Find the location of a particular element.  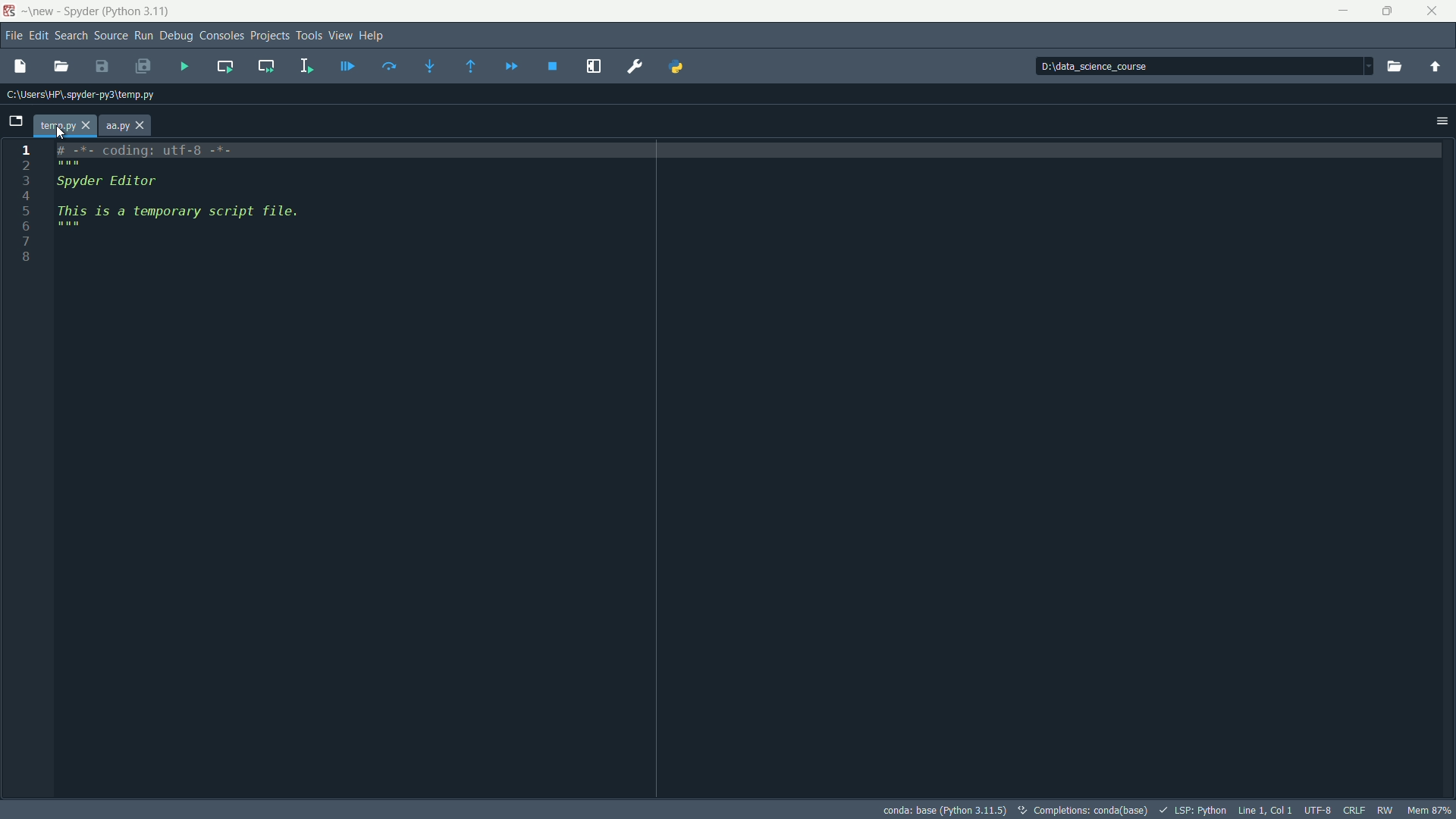

debug menu is located at coordinates (176, 36).